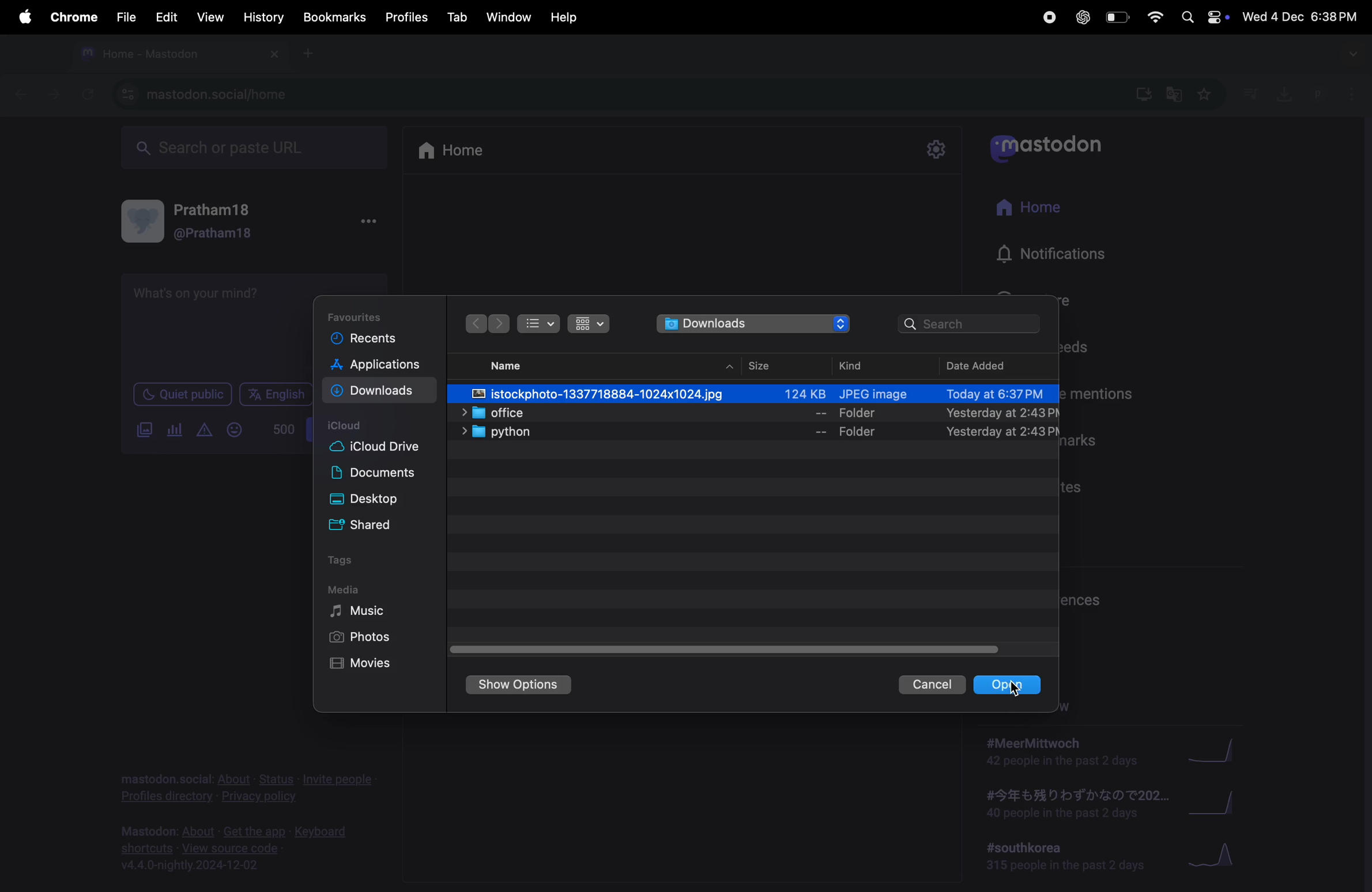 The image size is (1372, 892). I want to click on music, so click(360, 611).